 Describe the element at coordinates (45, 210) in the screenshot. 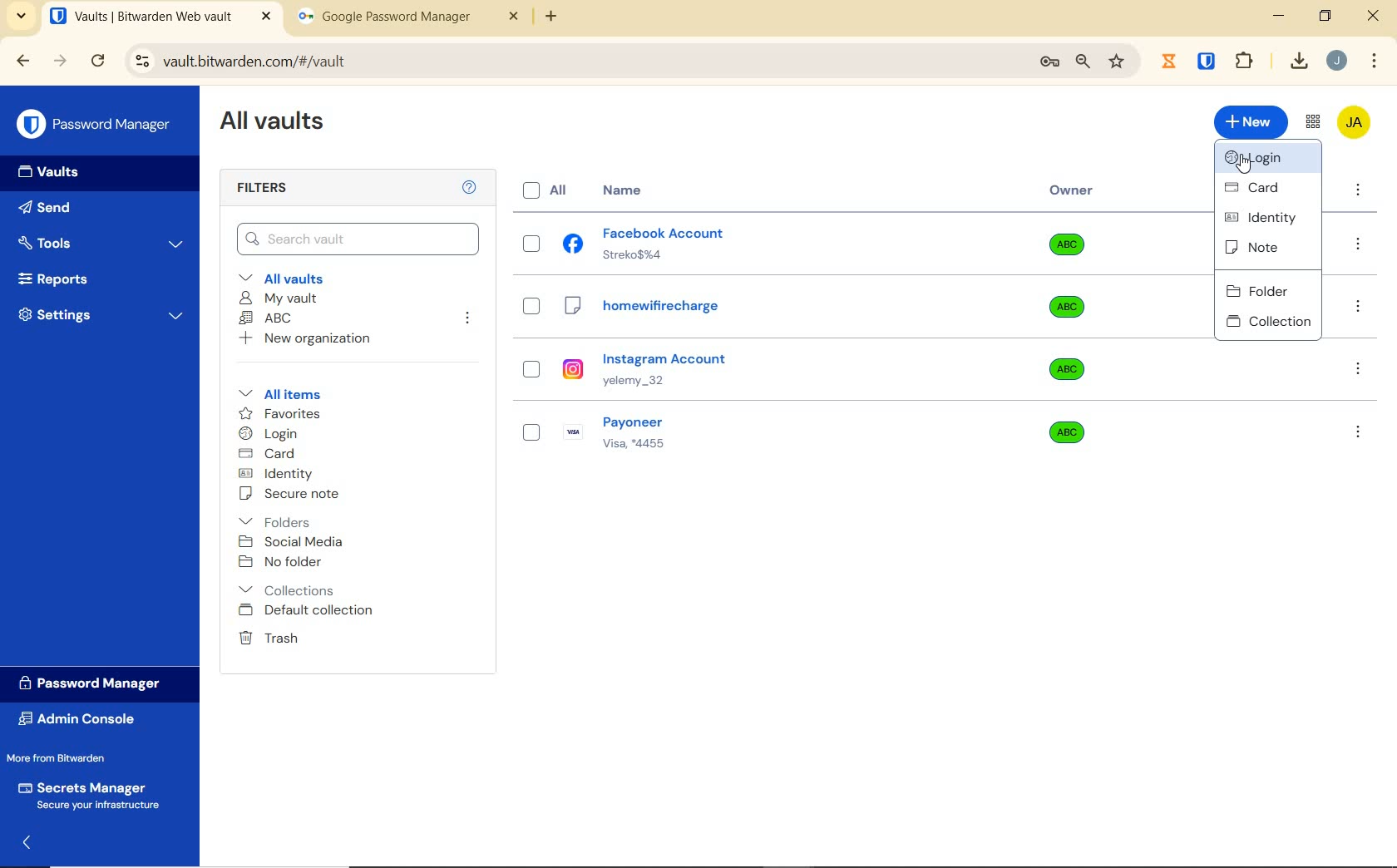

I see `Send` at that location.